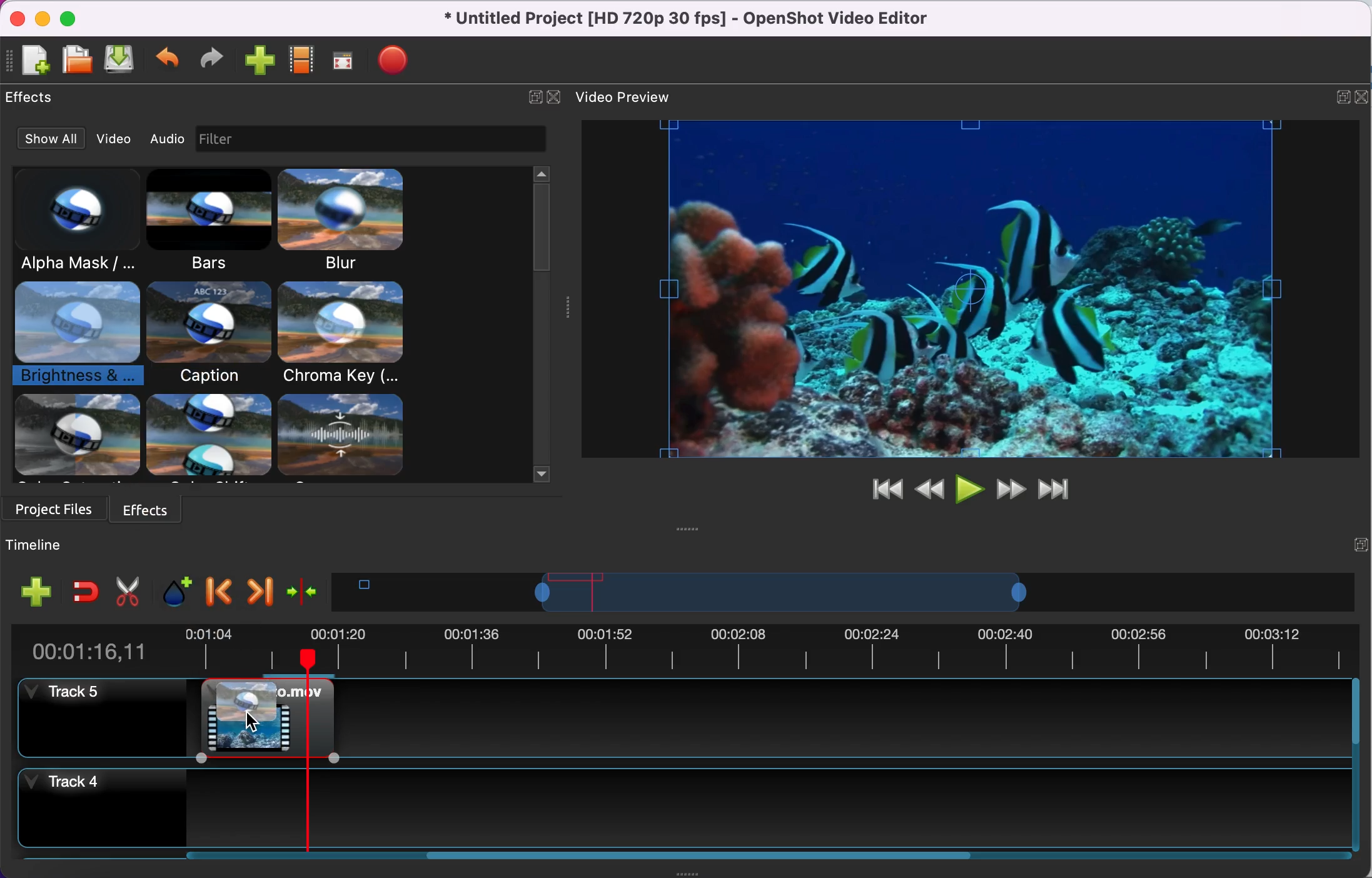 The width and height of the screenshot is (1372, 878). I want to click on duration, so click(681, 648).